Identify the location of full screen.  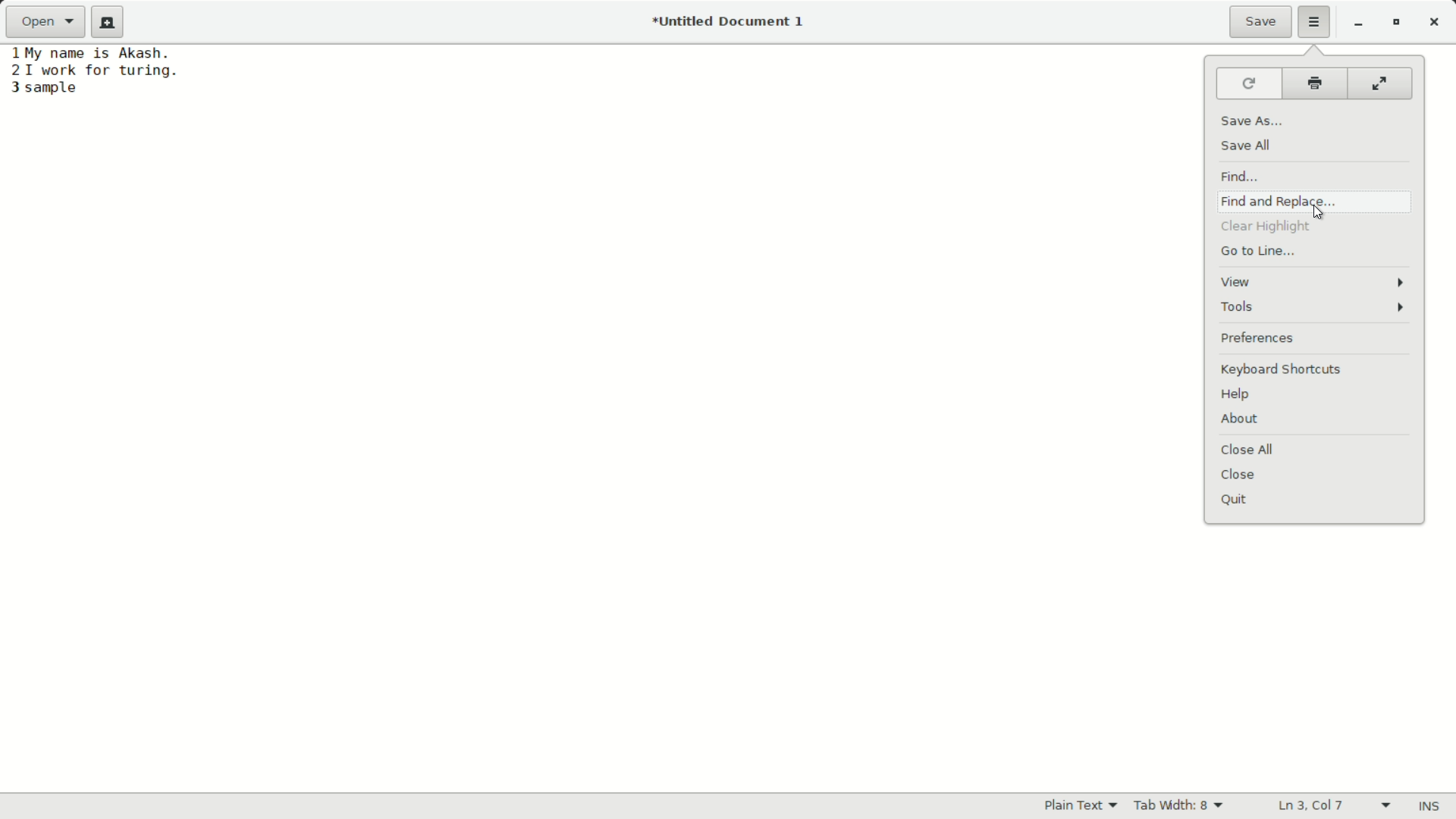
(1376, 86).